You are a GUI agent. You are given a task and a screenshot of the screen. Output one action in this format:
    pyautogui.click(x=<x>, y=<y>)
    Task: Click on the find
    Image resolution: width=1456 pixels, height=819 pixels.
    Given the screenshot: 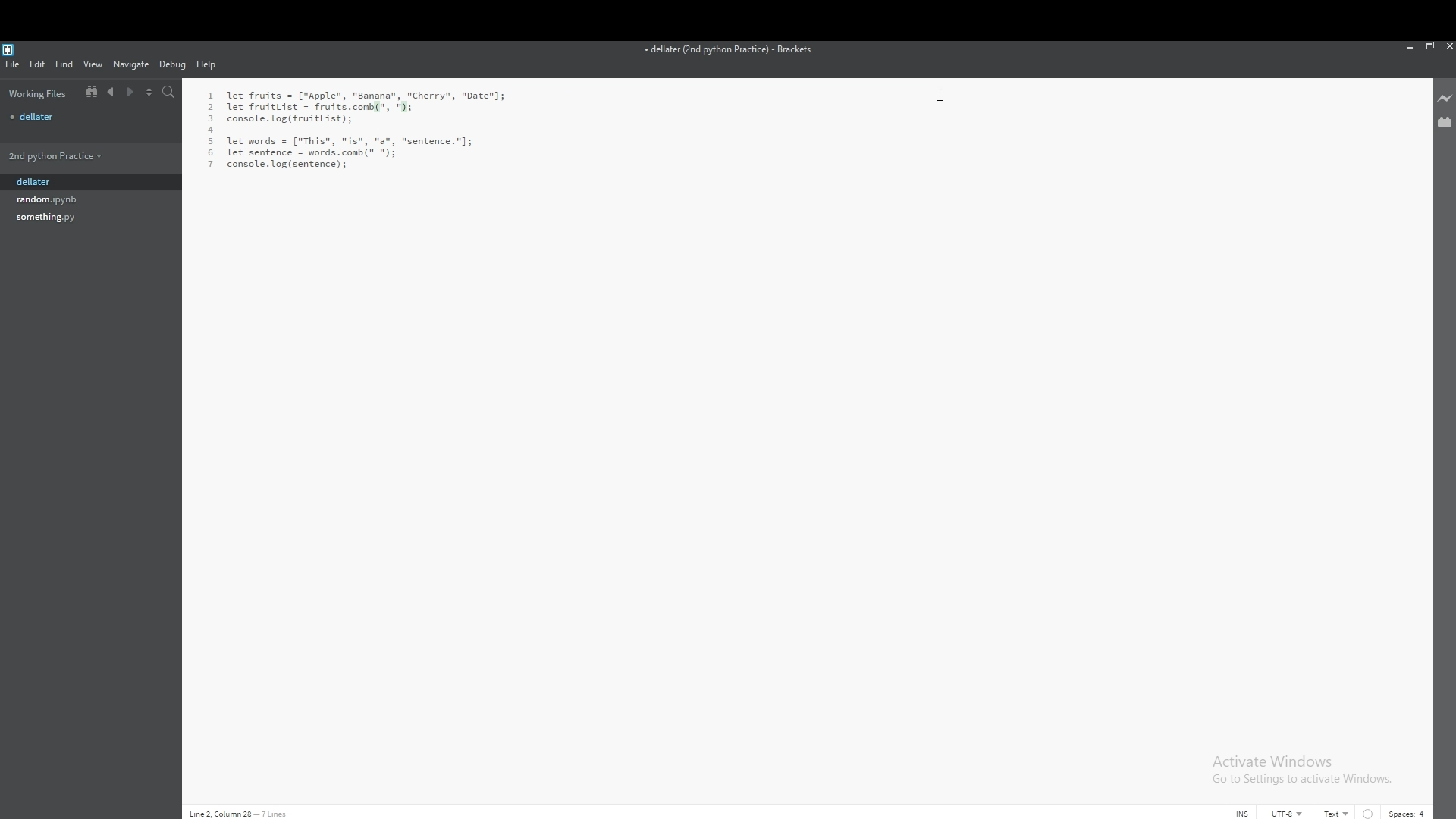 What is the action you would take?
    pyautogui.click(x=65, y=64)
    